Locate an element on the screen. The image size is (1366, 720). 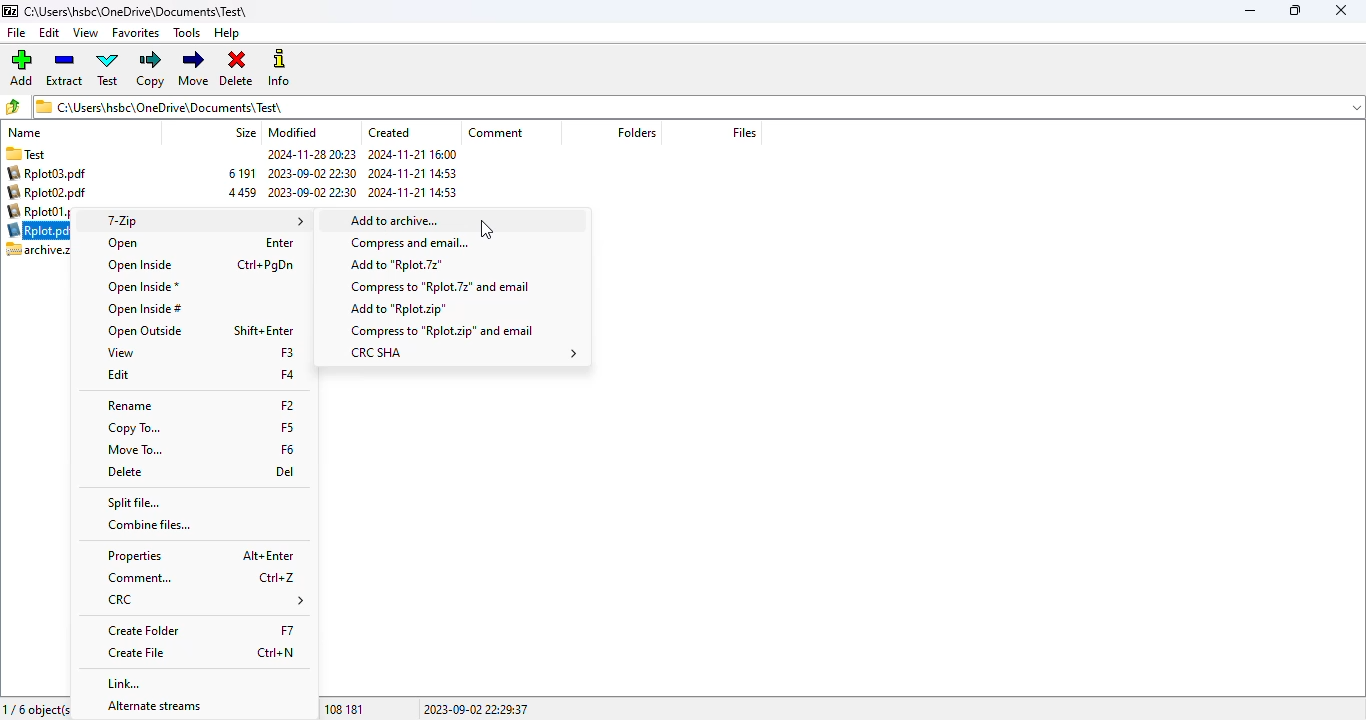
selected pdf is located at coordinates (36, 230).